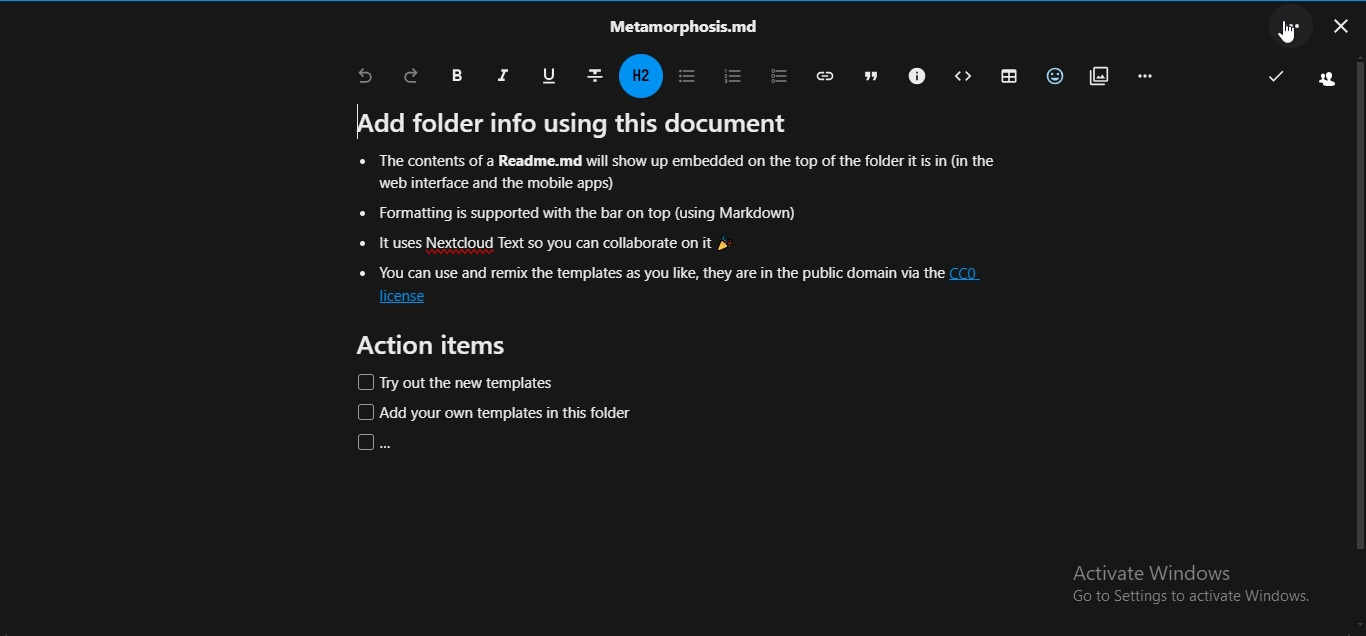 Image resolution: width=1366 pixels, height=636 pixels. What do you see at coordinates (776, 73) in the screenshot?
I see `to do list` at bounding box center [776, 73].